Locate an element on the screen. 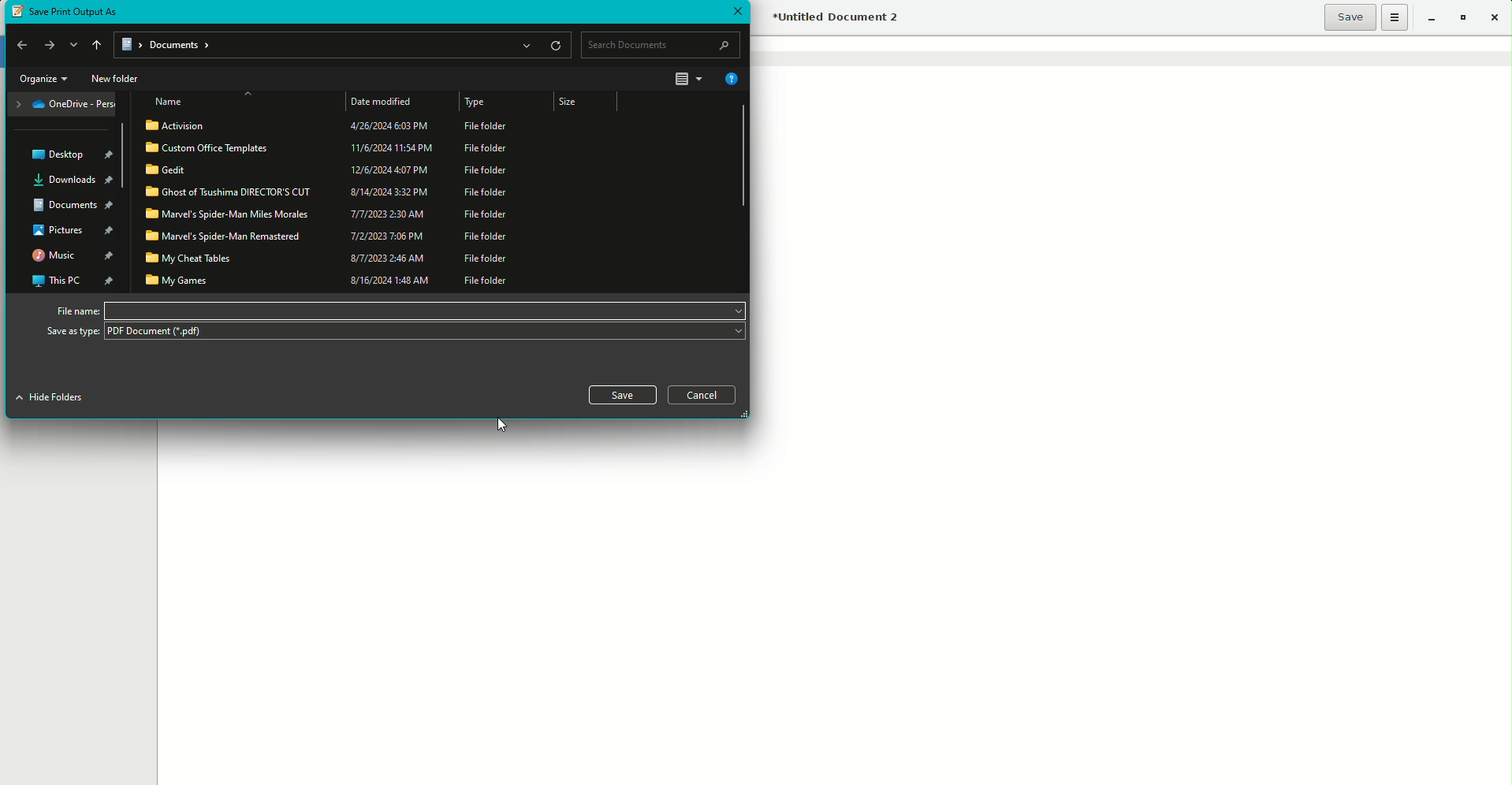 The height and width of the screenshot is (785, 1512). Save print output as is located at coordinates (75, 12).